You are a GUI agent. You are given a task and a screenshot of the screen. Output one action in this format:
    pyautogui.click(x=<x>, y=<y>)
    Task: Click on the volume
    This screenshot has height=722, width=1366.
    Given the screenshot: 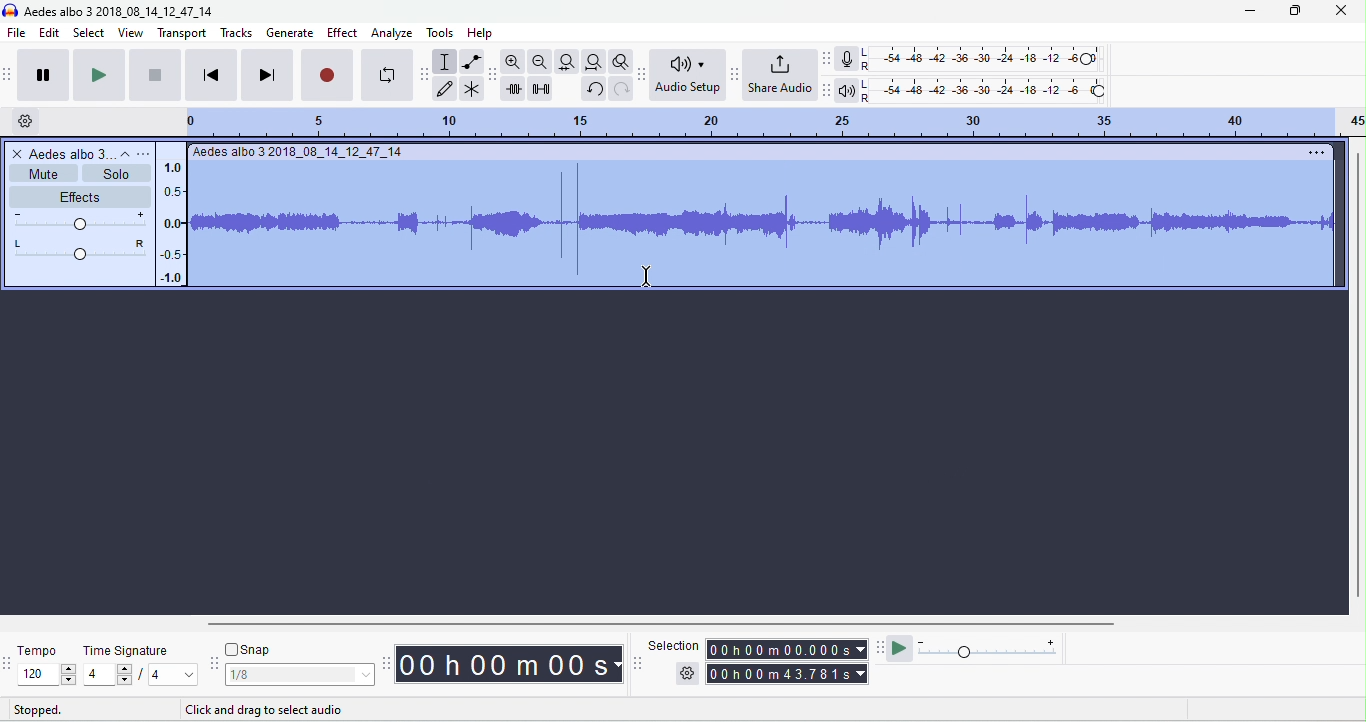 What is the action you would take?
    pyautogui.click(x=76, y=219)
    